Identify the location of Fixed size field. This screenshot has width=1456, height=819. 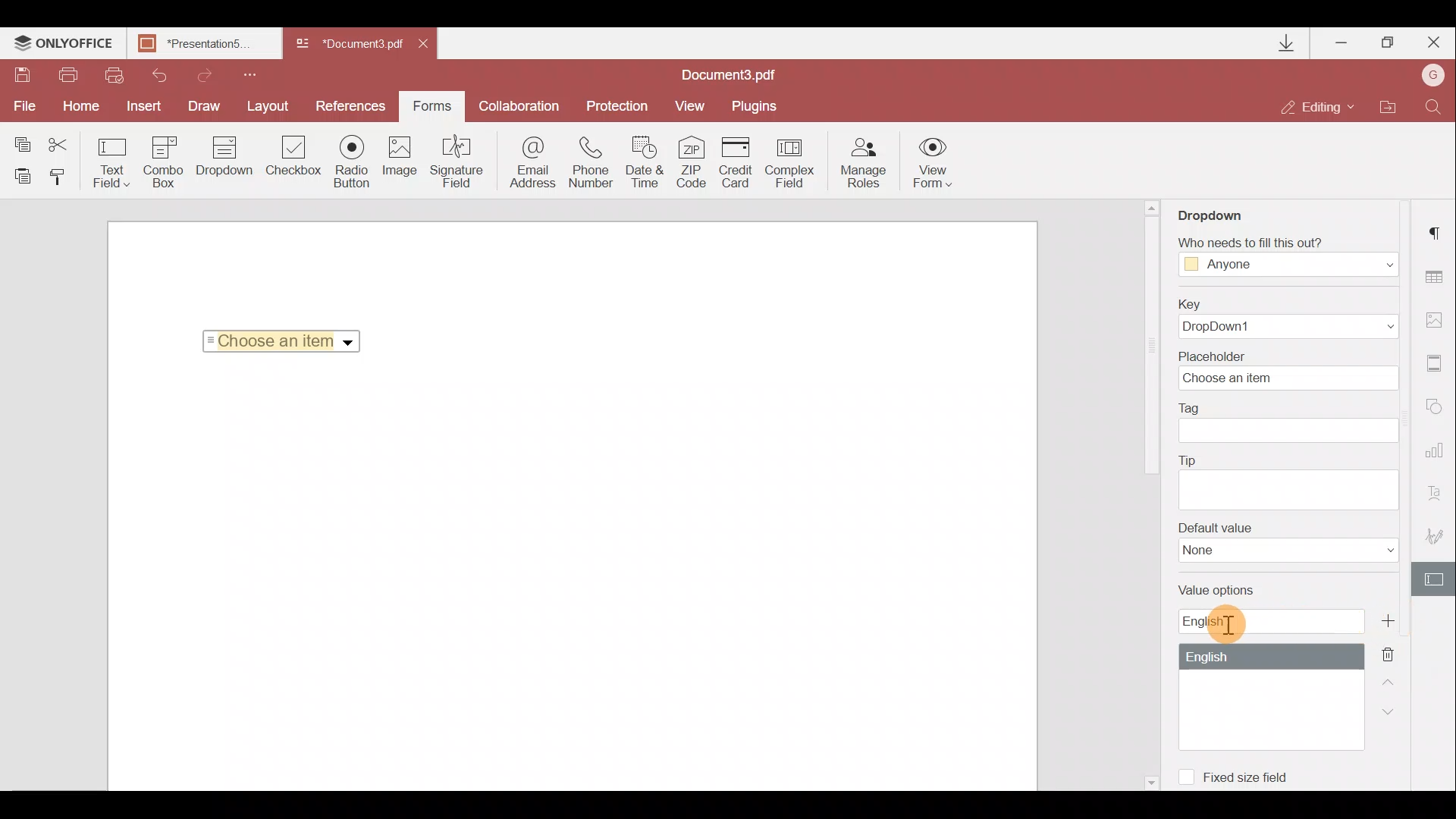
(1241, 774).